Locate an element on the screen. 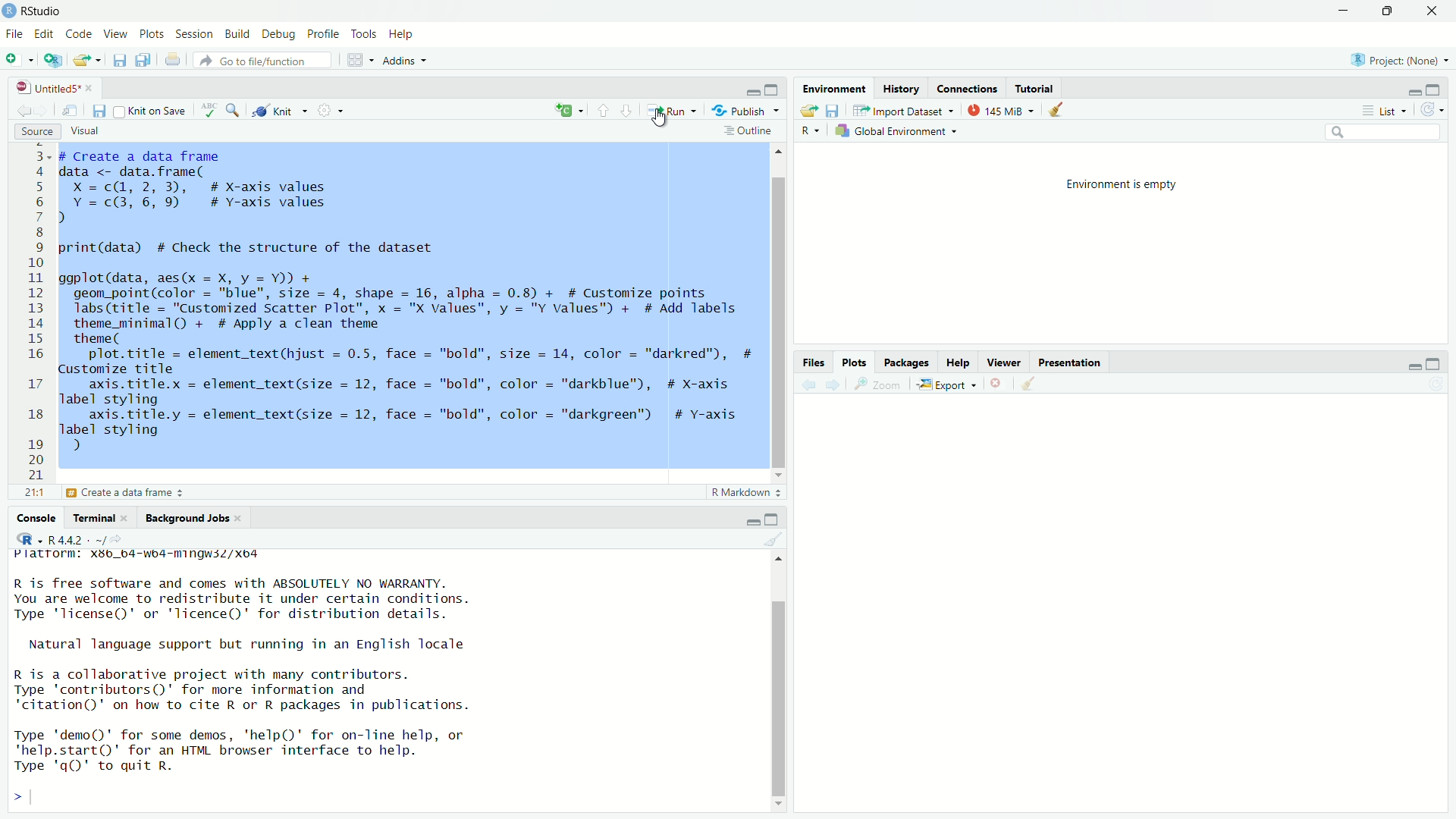  Visual is located at coordinates (82, 132).